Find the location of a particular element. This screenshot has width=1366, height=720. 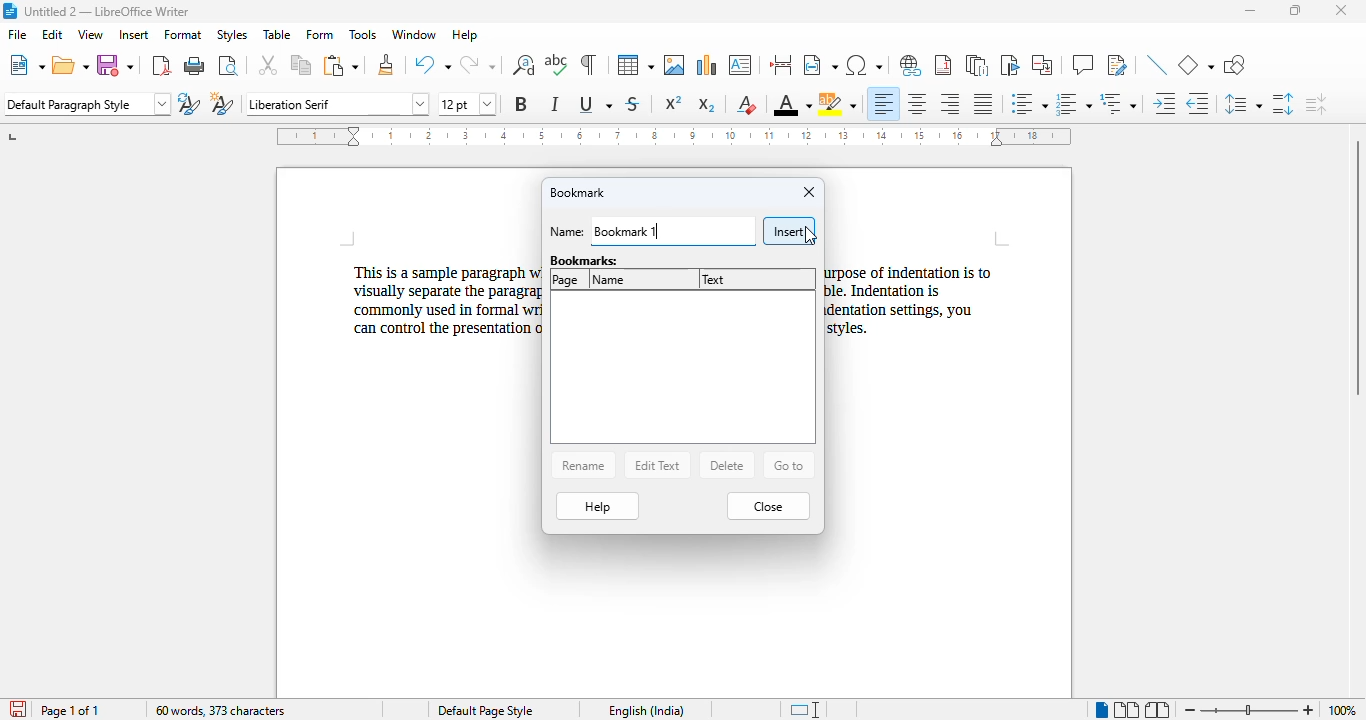

insert page break is located at coordinates (782, 65).